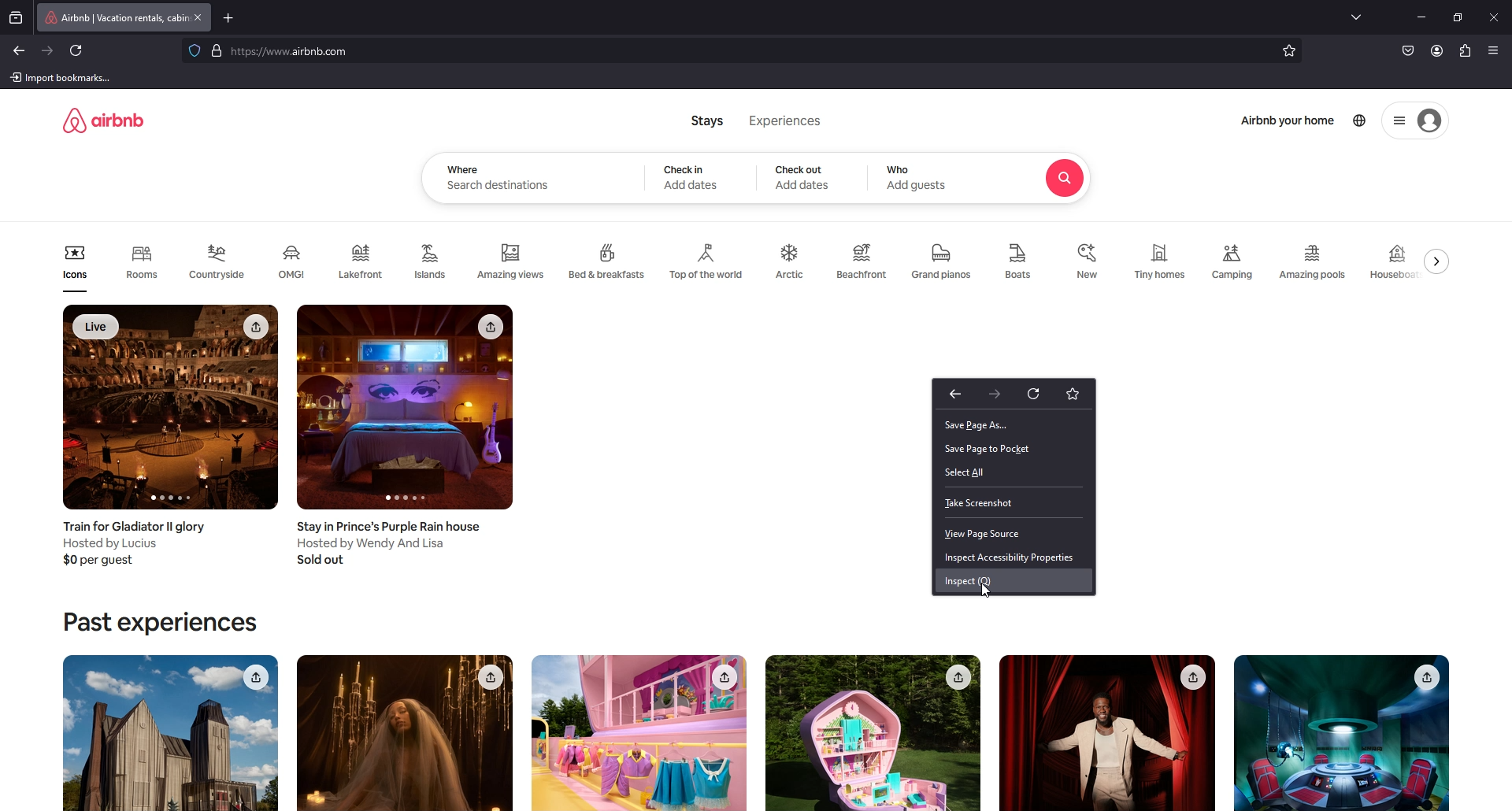 This screenshot has height=811, width=1512. I want to click on Search icon, so click(1065, 179).